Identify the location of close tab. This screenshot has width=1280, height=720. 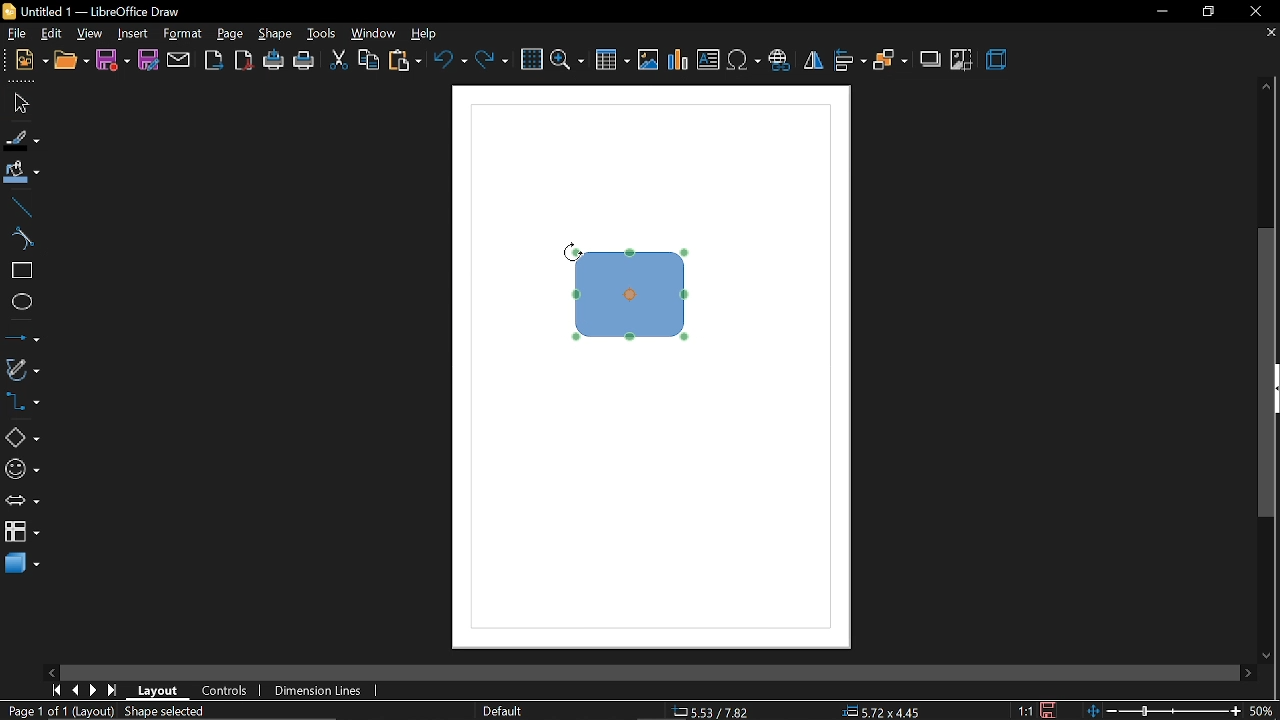
(1269, 34).